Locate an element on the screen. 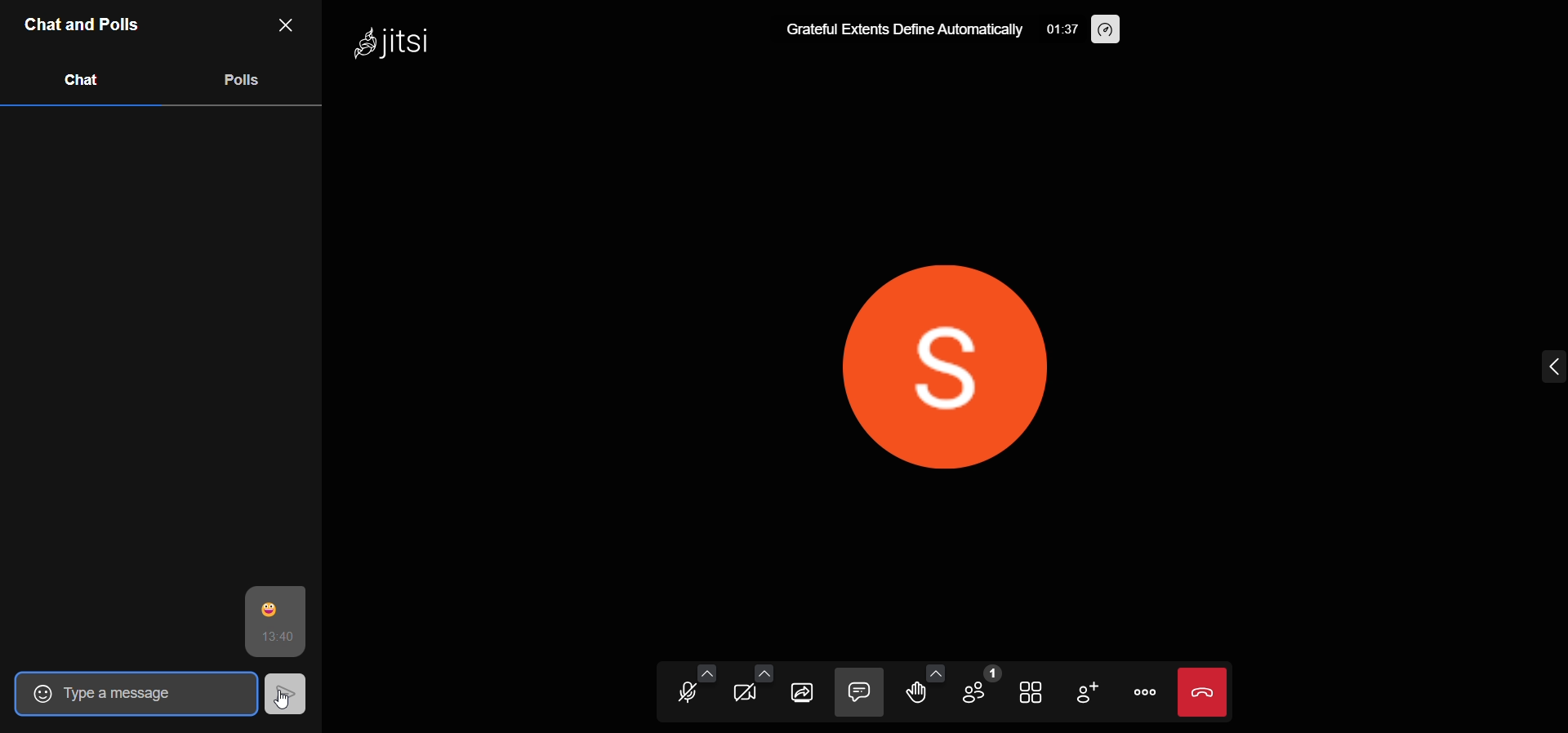 The image size is (1568, 733). expand is located at coordinates (1526, 363).